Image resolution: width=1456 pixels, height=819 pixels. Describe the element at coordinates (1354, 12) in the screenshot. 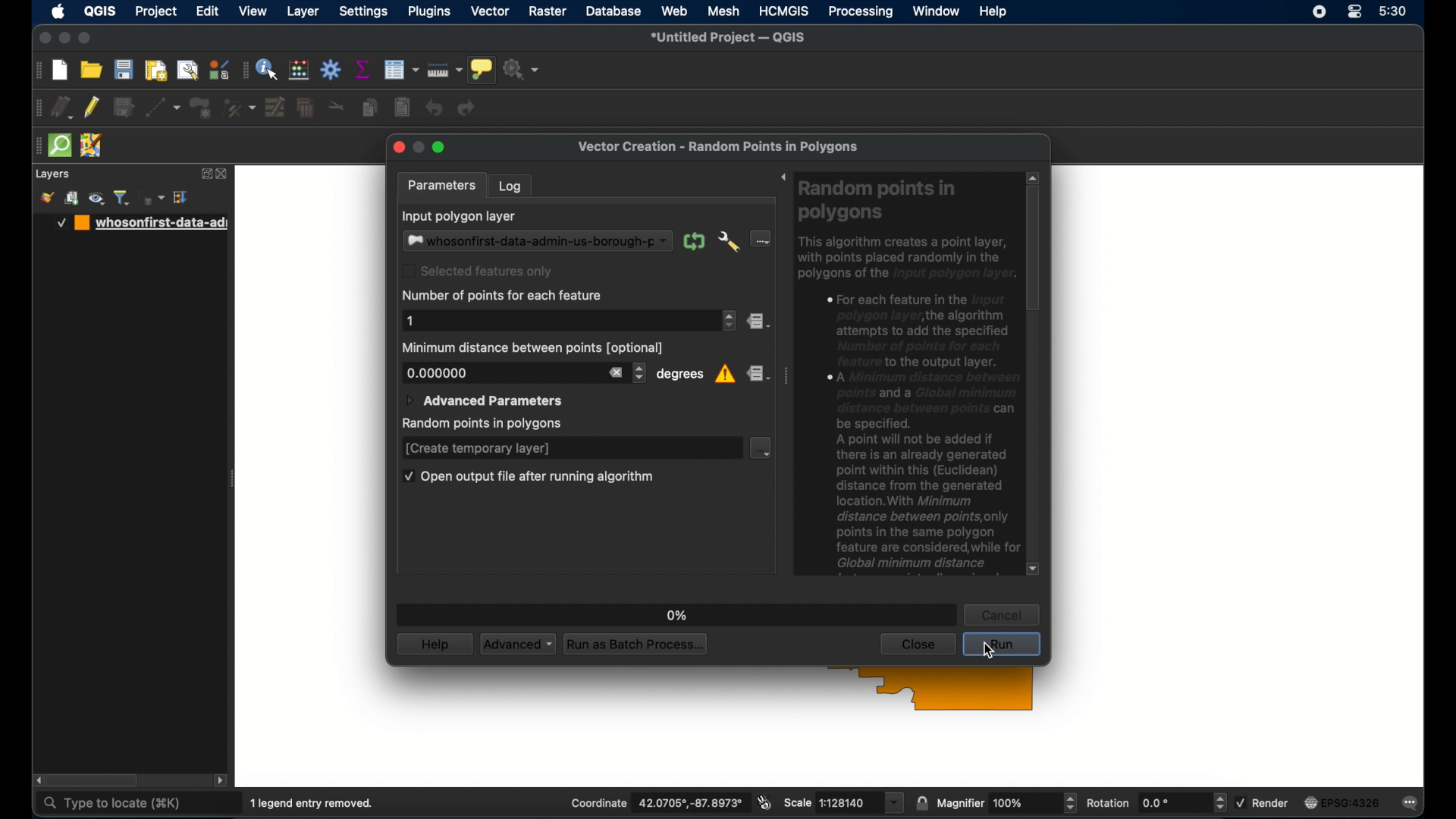

I see `control center` at that location.